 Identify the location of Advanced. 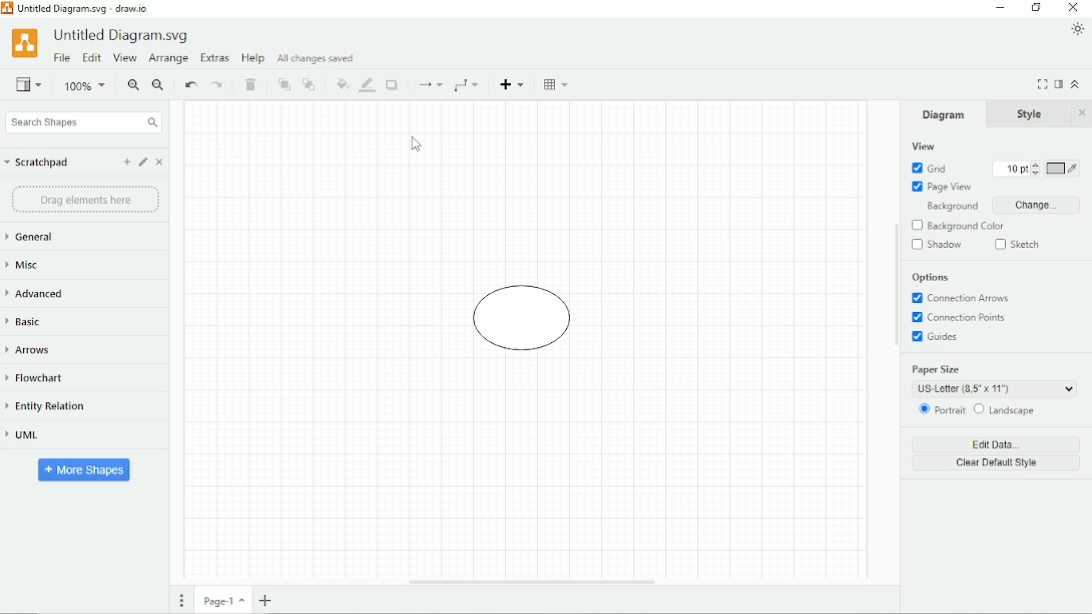
(38, 293).